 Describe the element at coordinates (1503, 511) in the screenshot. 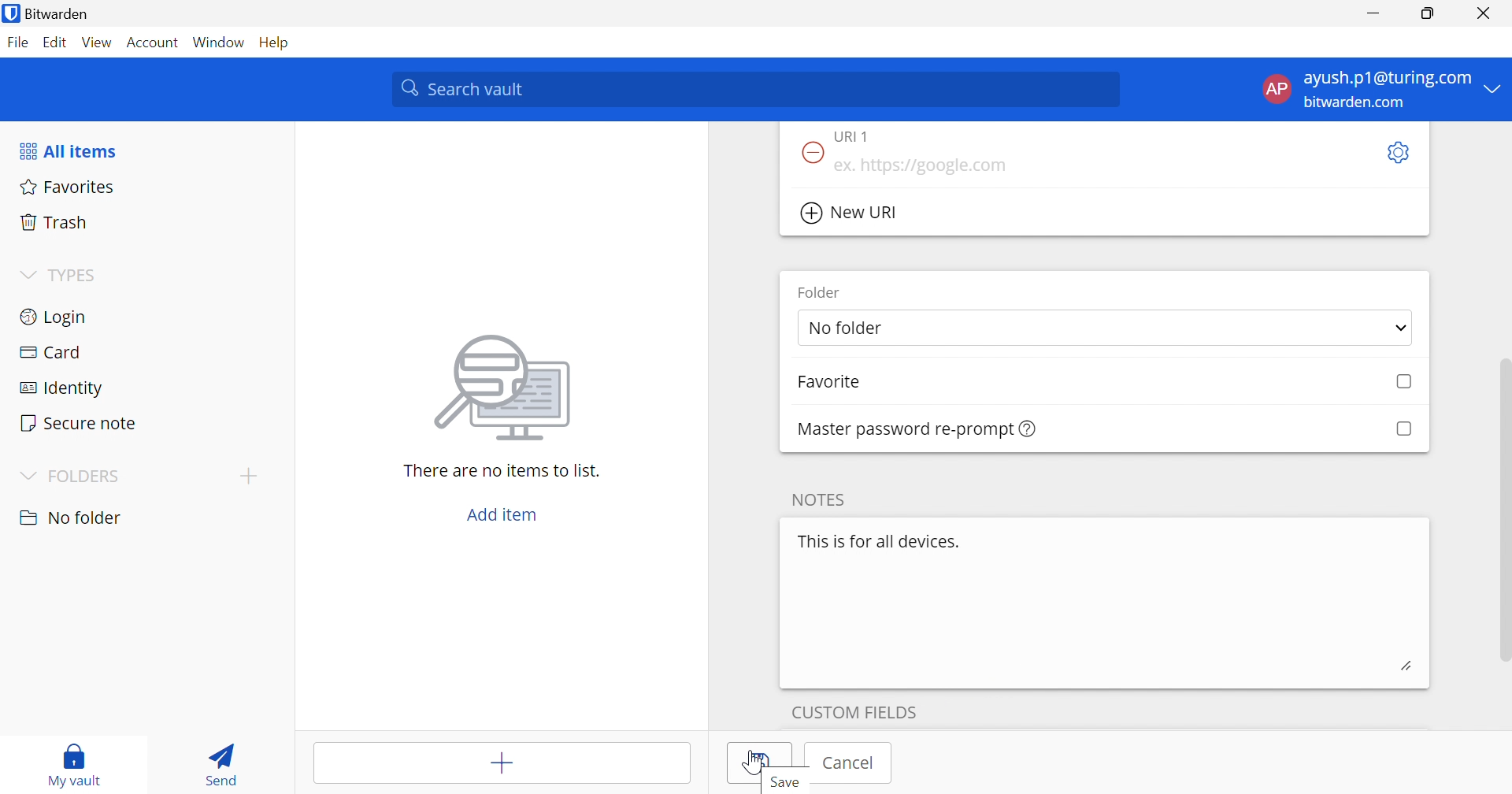

I see `Scroll Bar` at that location.